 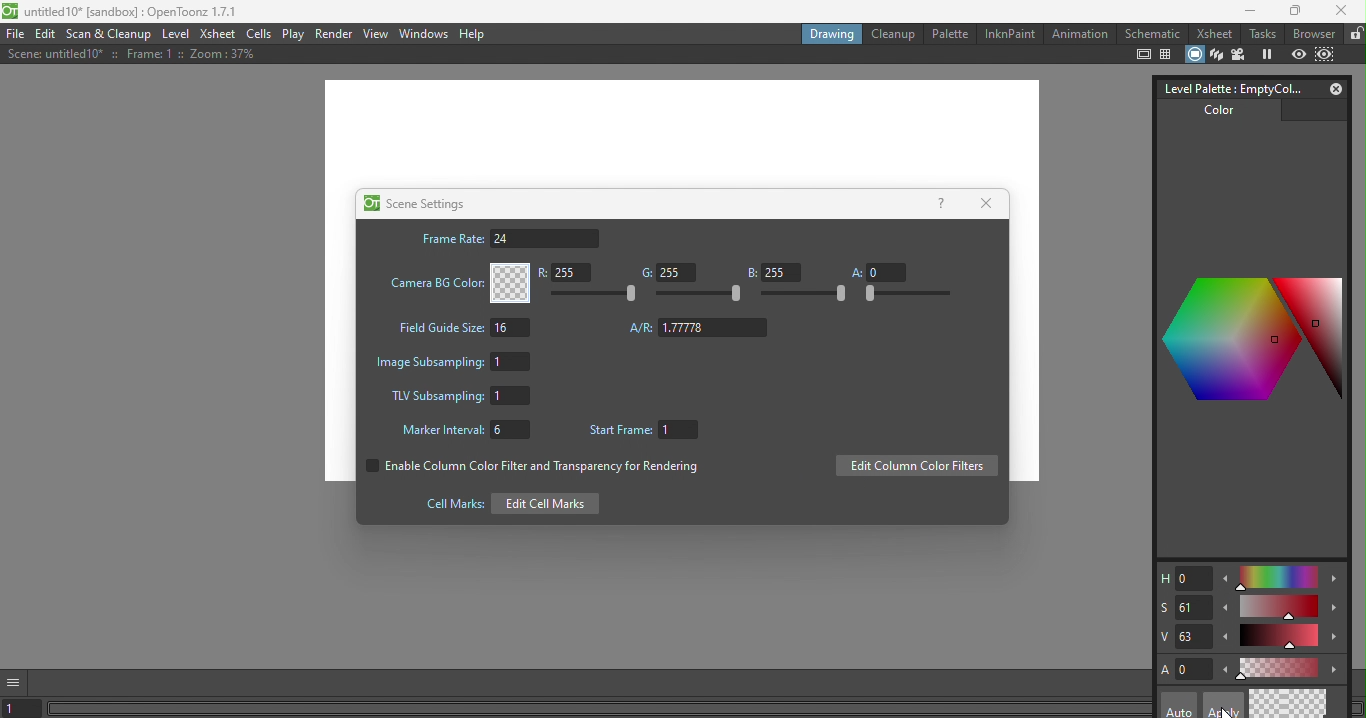 What do you see at coordinates (1226, 711) in the screenshot?
I see `cursor` at bounding box center [1226, 711].